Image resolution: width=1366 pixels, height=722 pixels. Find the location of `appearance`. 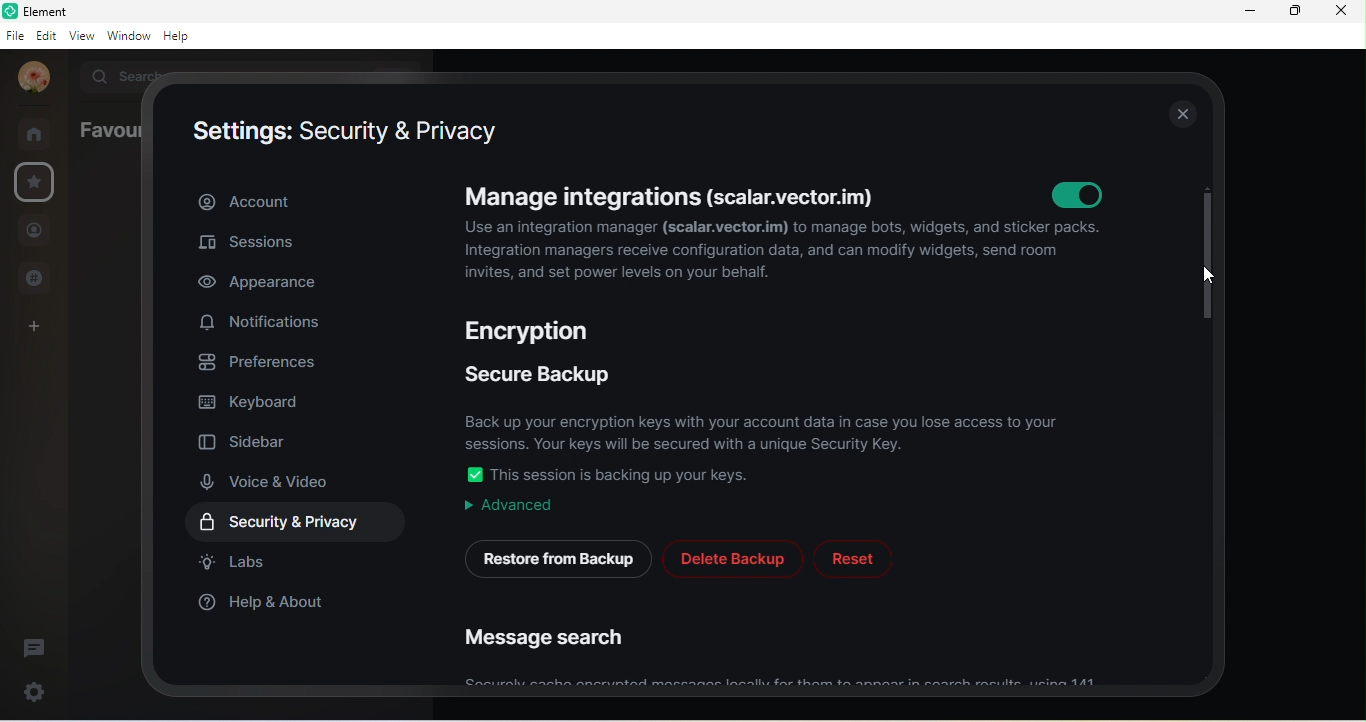

appearance is located at coordinates (271, 283).